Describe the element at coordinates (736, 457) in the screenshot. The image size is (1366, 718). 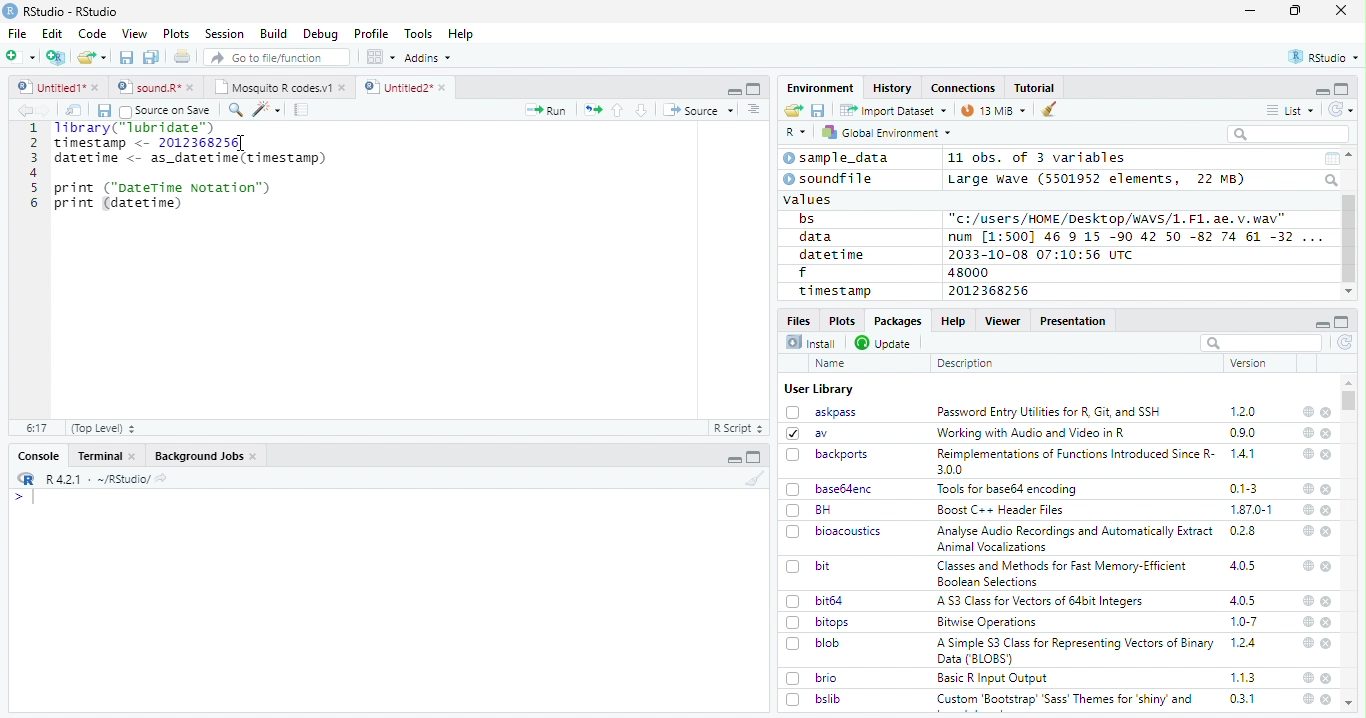
I see `minimize` at that location.